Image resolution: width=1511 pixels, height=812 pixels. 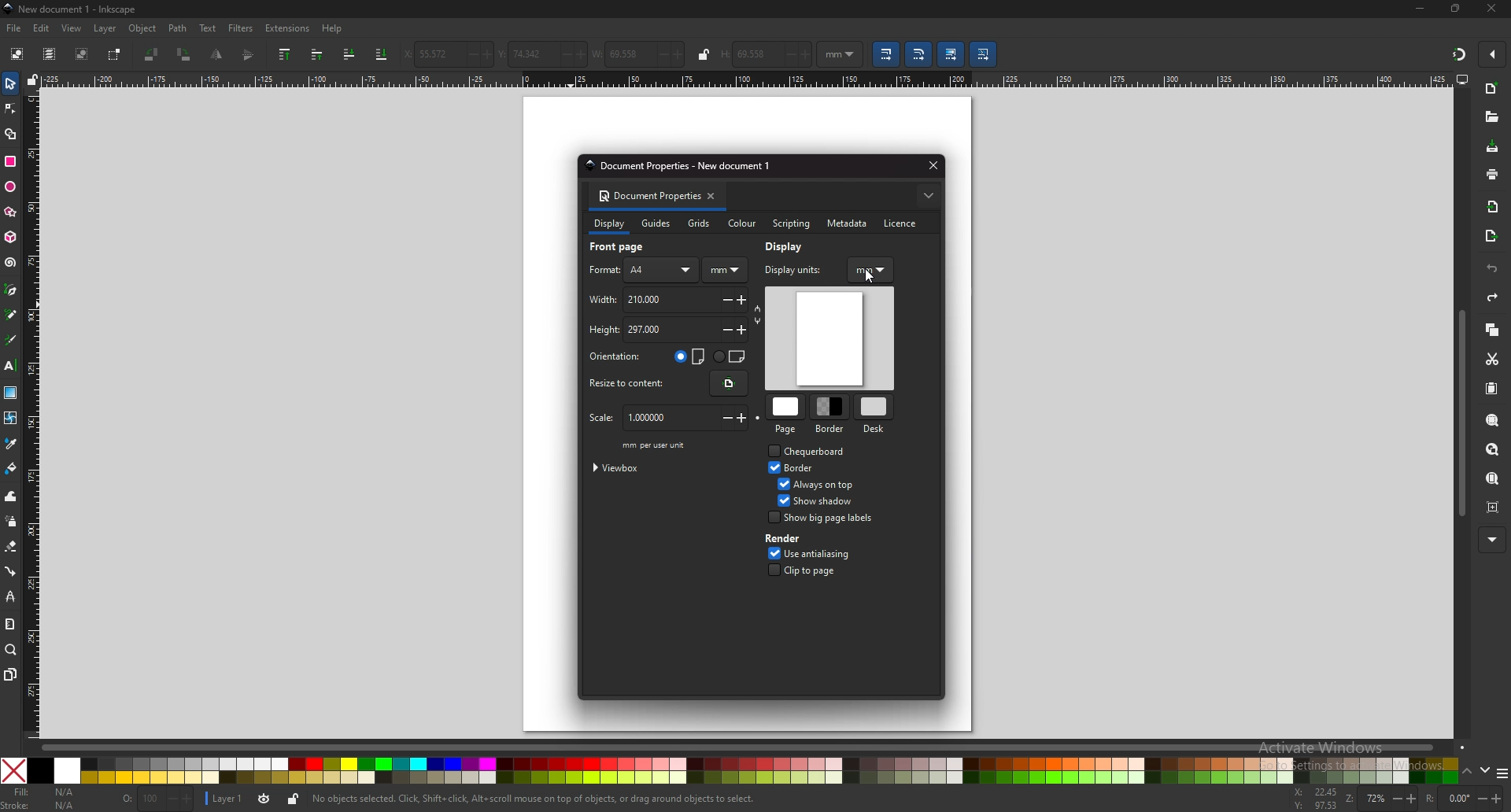 I want to click on display units, so click(x=801, y=268).